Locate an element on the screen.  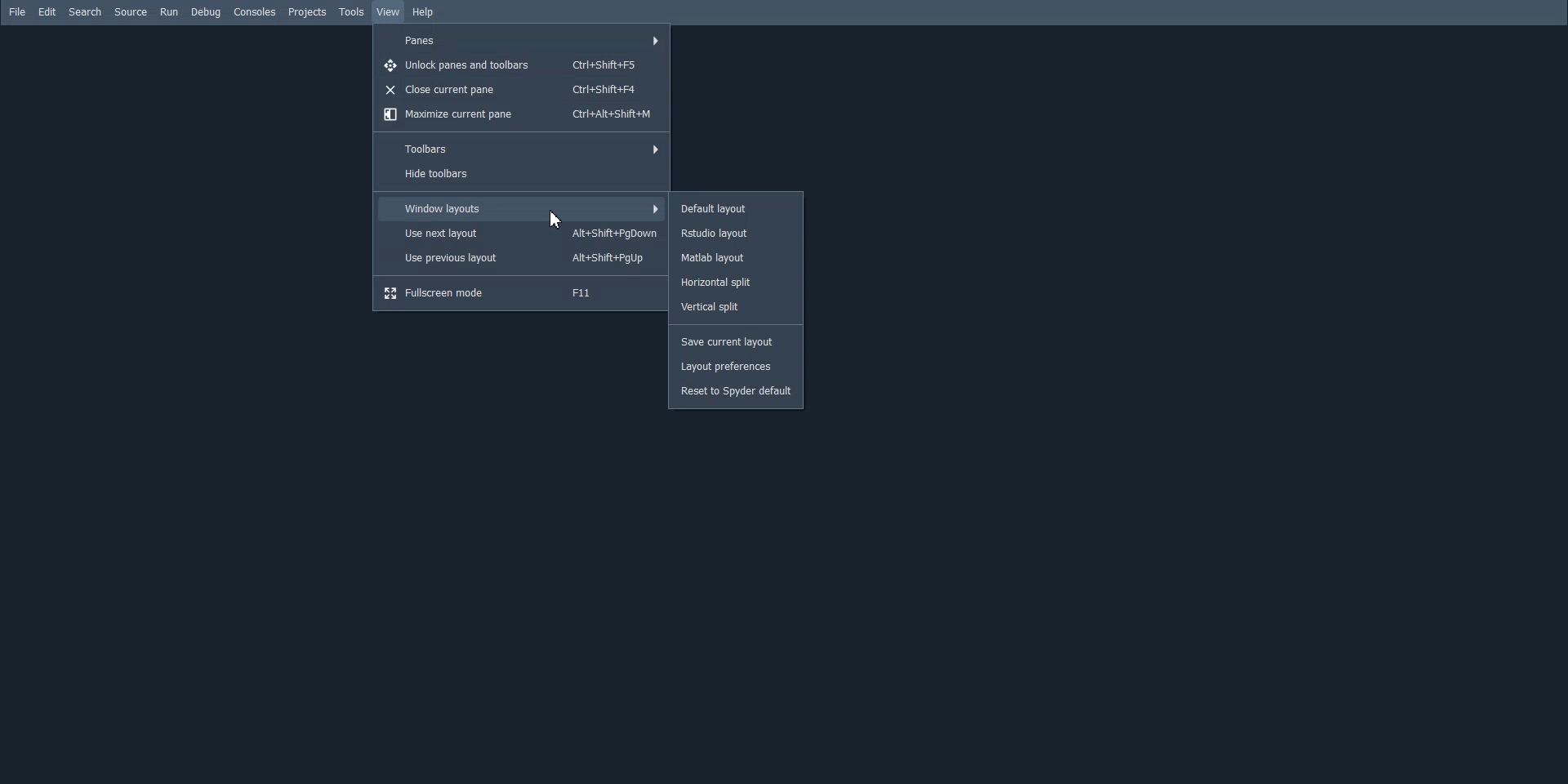
Panes is located at coordinates (522, 39).